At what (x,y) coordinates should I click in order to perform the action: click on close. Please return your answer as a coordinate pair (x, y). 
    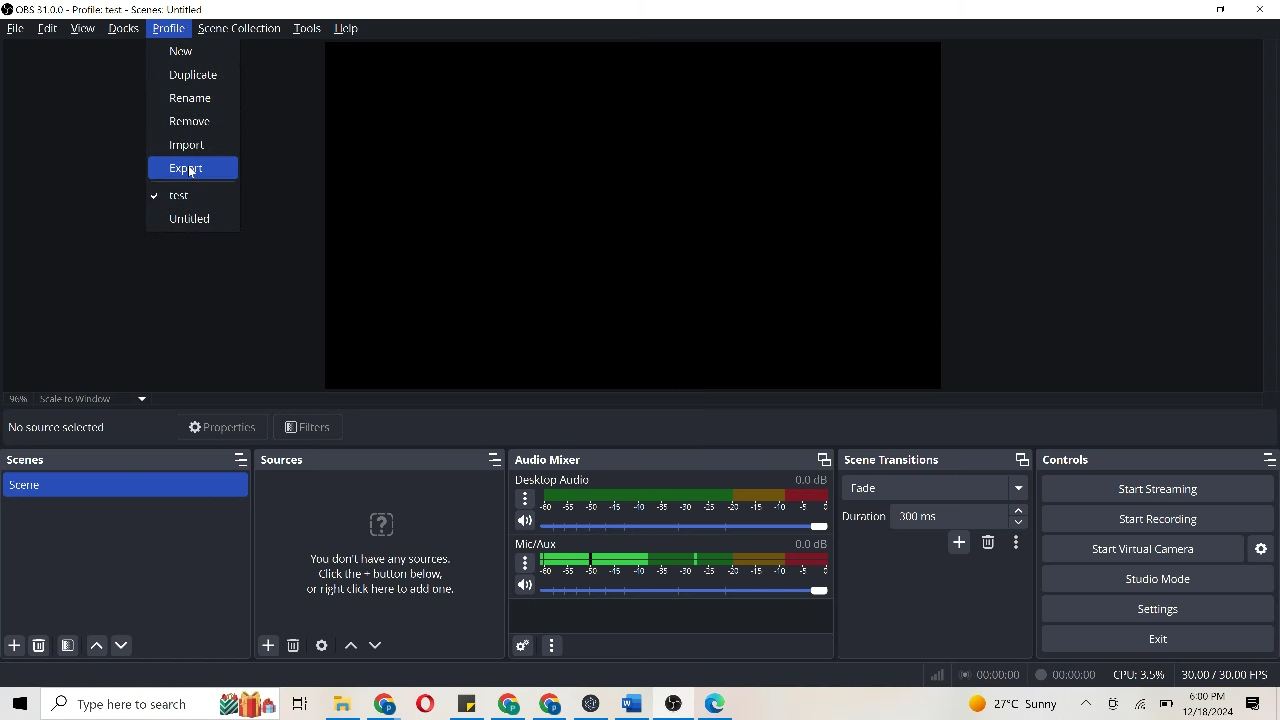
    Looking at the image, I should click on (1260, 10).